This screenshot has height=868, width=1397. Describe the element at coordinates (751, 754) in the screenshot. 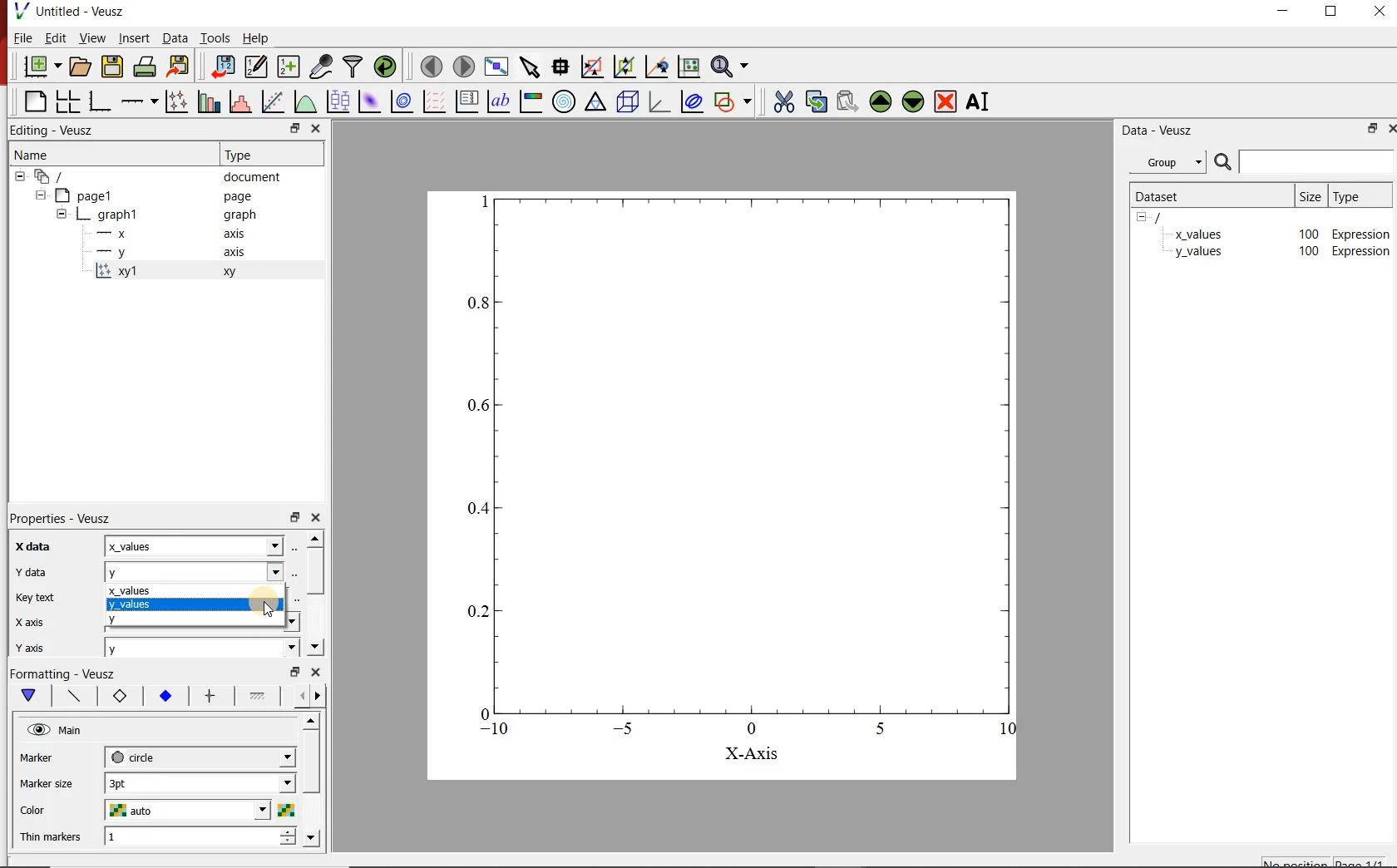

I see `X-Axis` at that location.